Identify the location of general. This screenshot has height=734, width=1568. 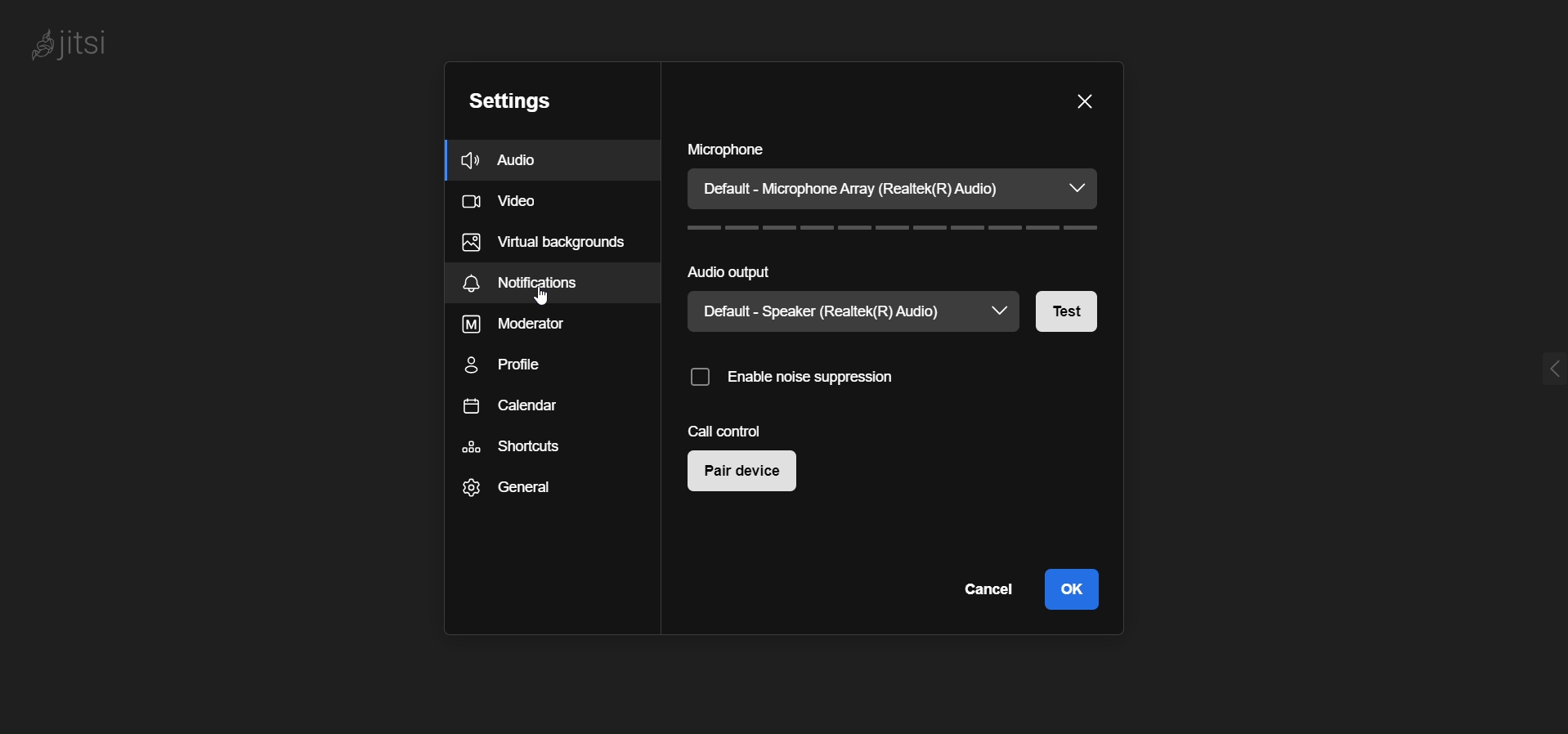
(507, 490).